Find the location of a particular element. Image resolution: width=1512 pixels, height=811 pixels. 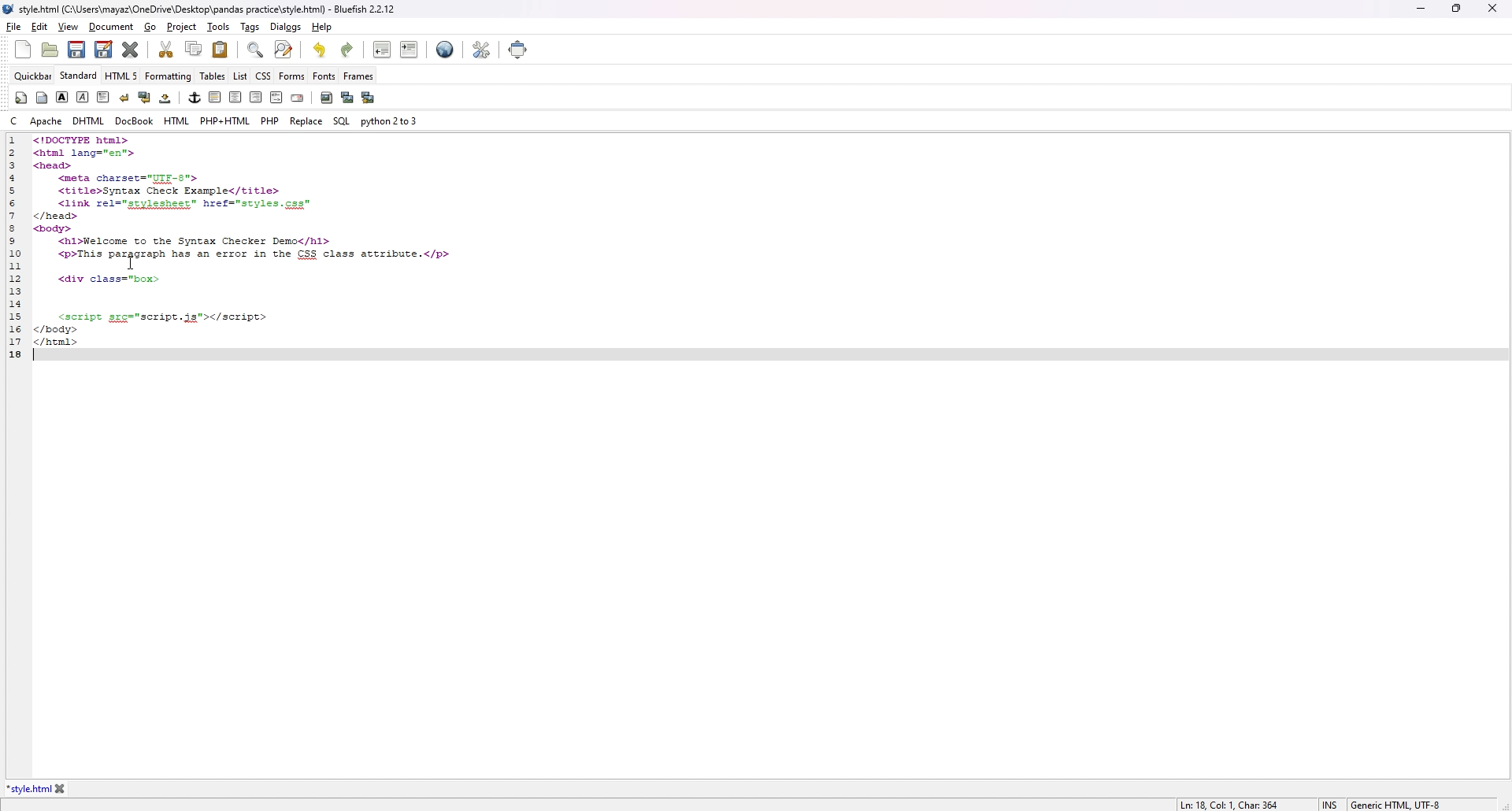

indent is located at coordinates (409, 49).